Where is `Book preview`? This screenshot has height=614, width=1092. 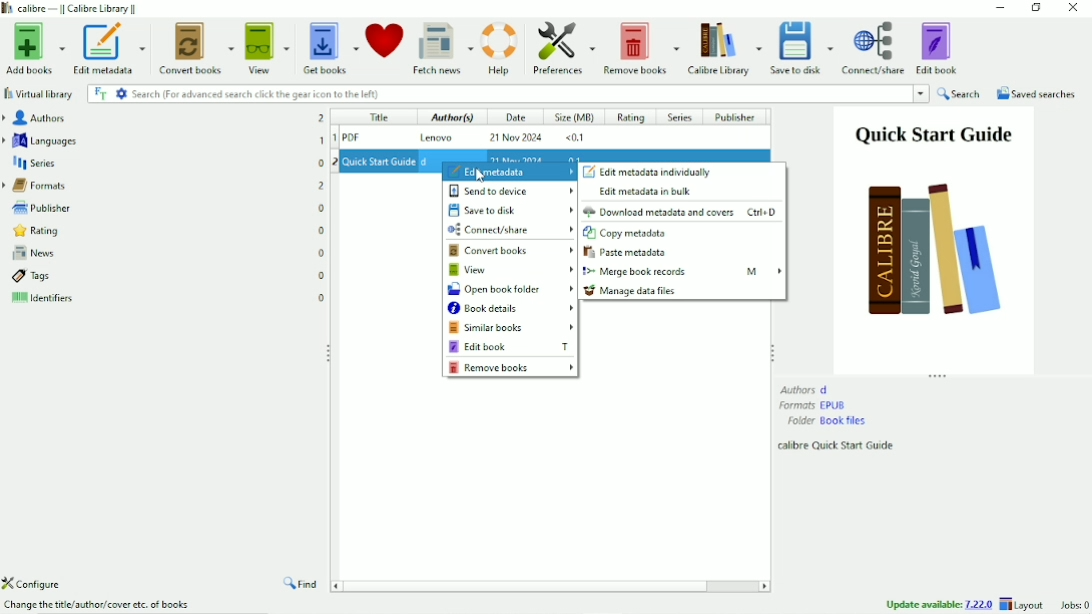 Book preview is located at coordinates (934, 239).